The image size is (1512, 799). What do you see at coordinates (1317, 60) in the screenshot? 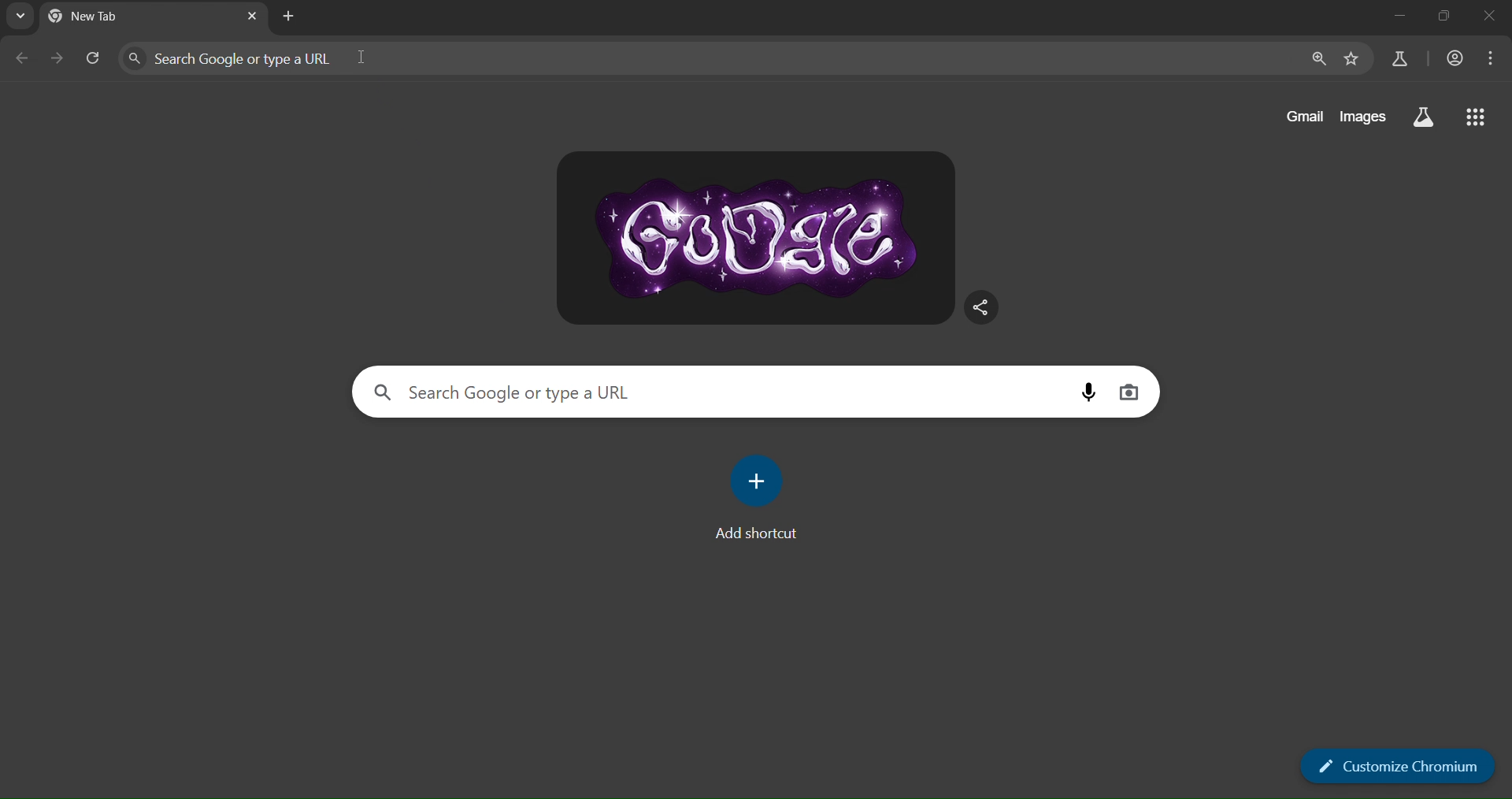
I see `zoom` at bounding box center [1317, 60].